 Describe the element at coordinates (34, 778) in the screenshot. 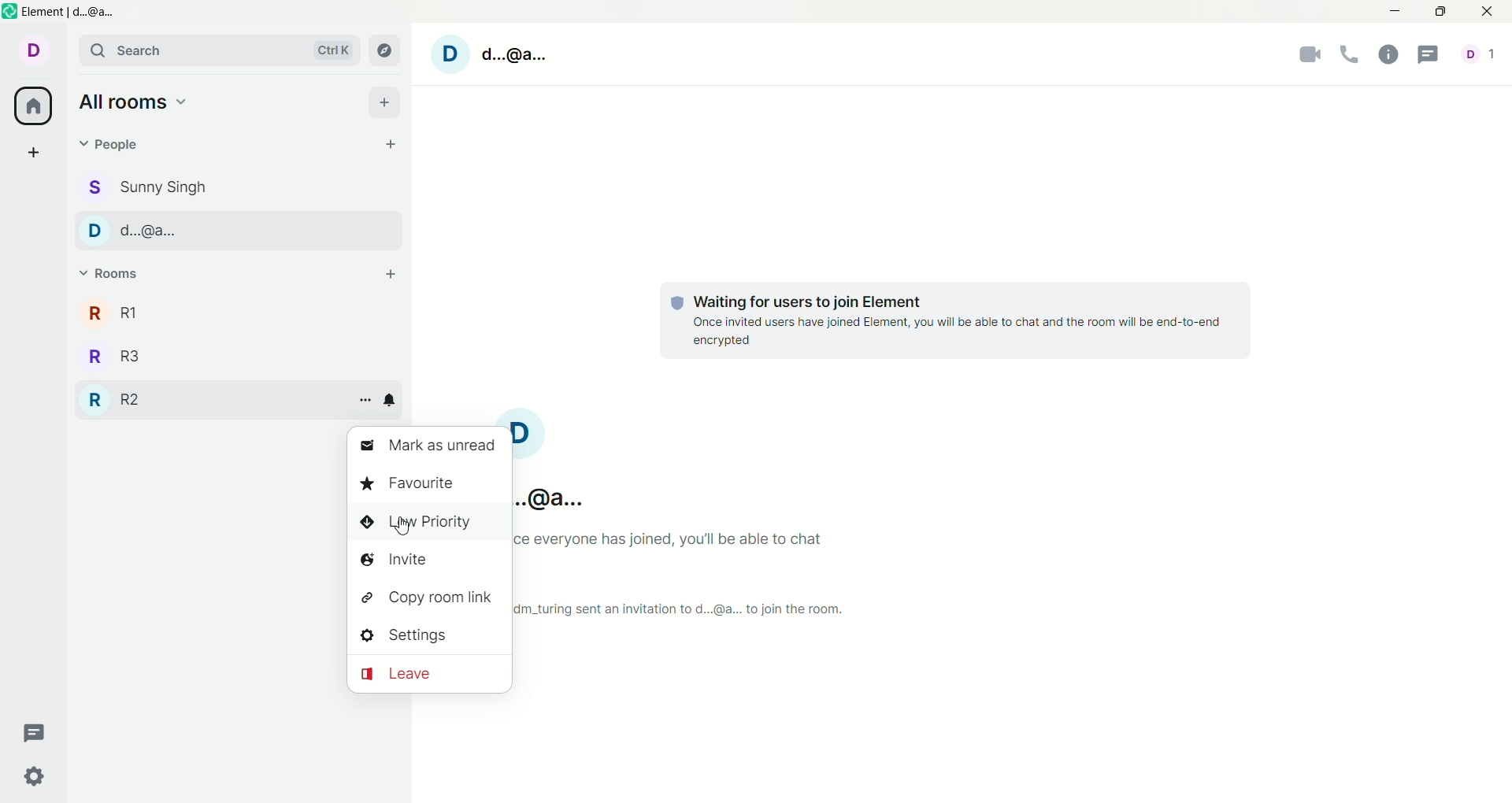

I see `settings` at that location.